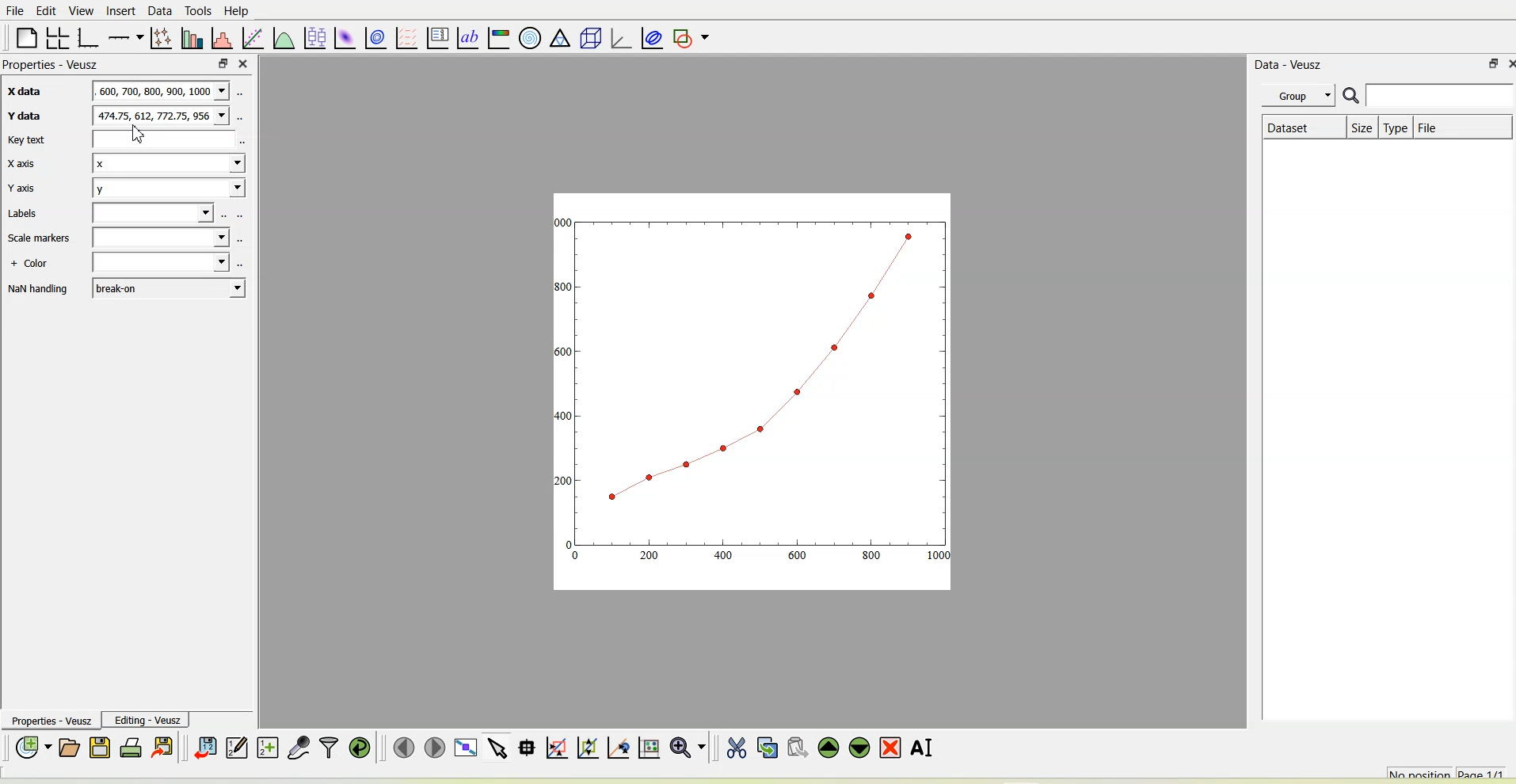  I want to click on No position, so click(1420, 772).